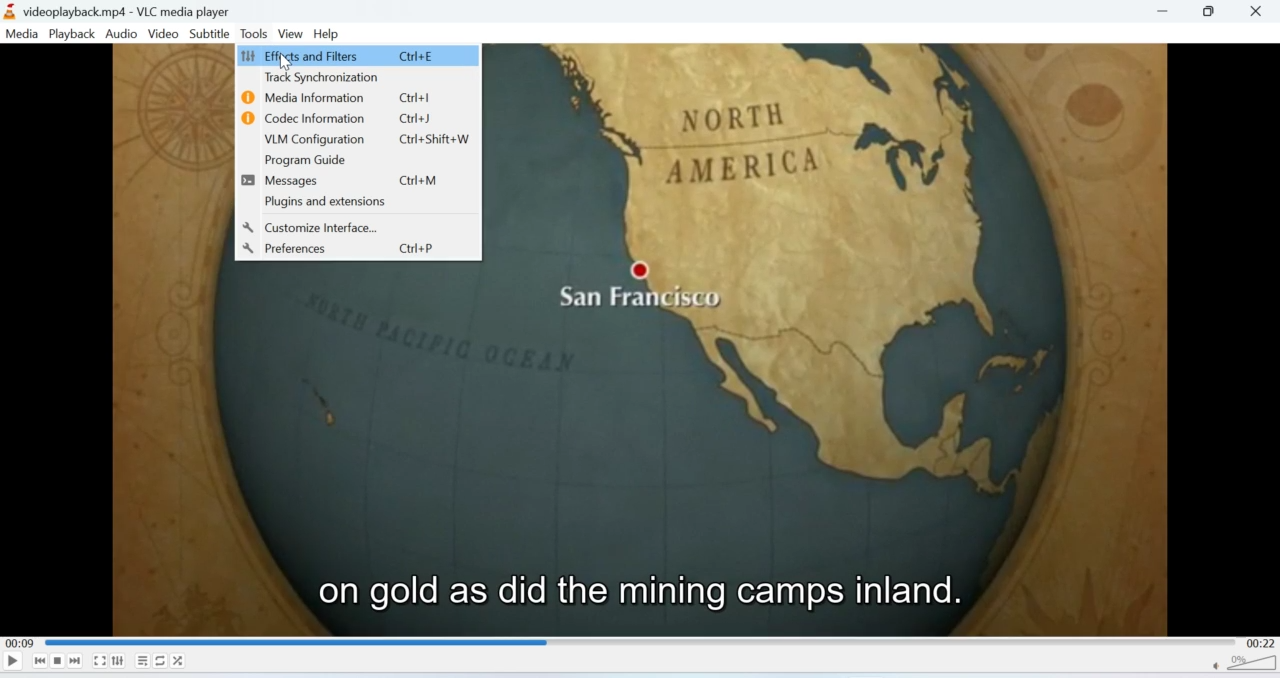 The image size is (1280, 678). Describe the element at coordinates (1246, 666) in the screenshot. I see `Volume` at that location.